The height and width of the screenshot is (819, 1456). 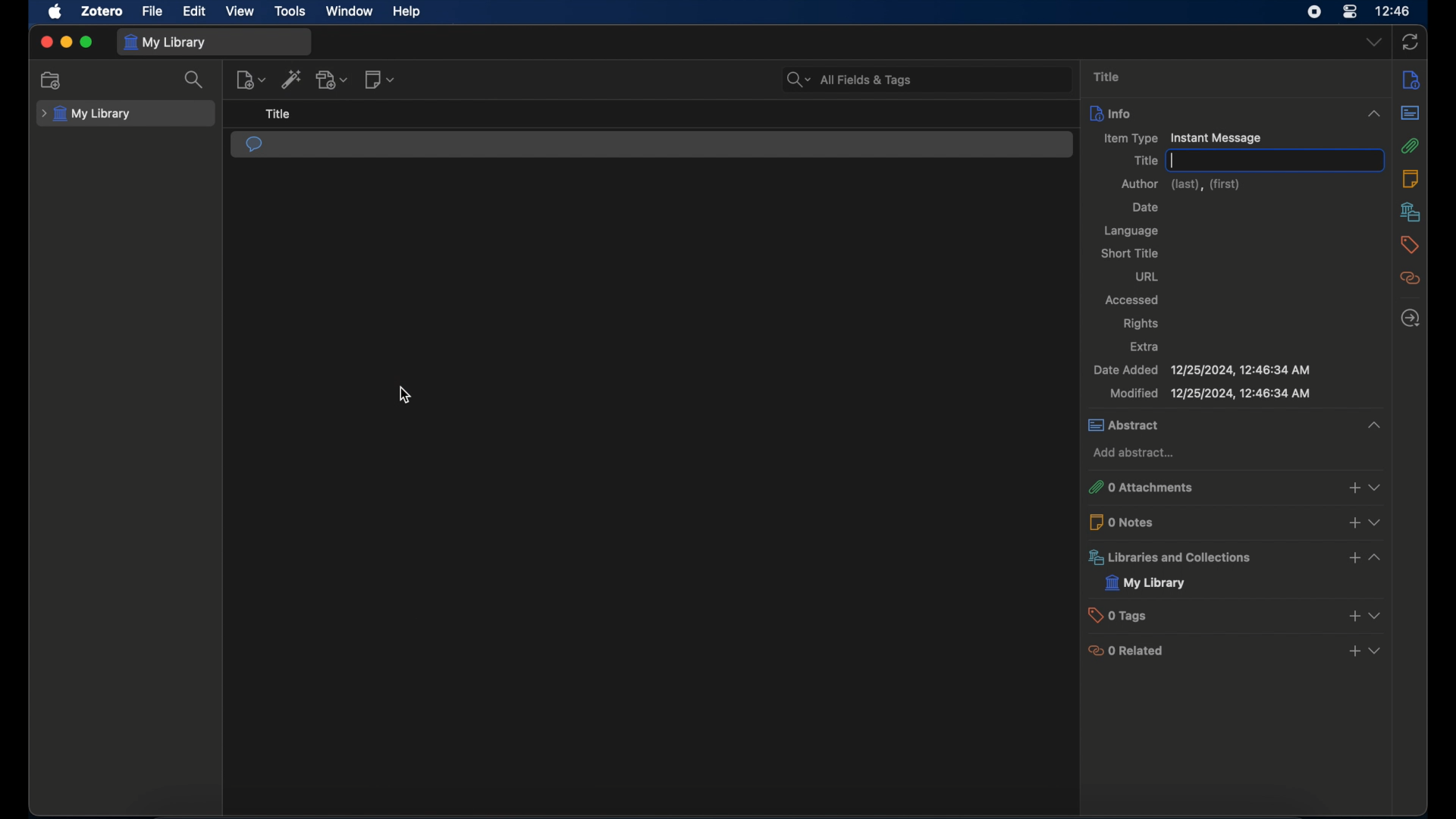 I want to click on maximize, so click(x=86, y=42).